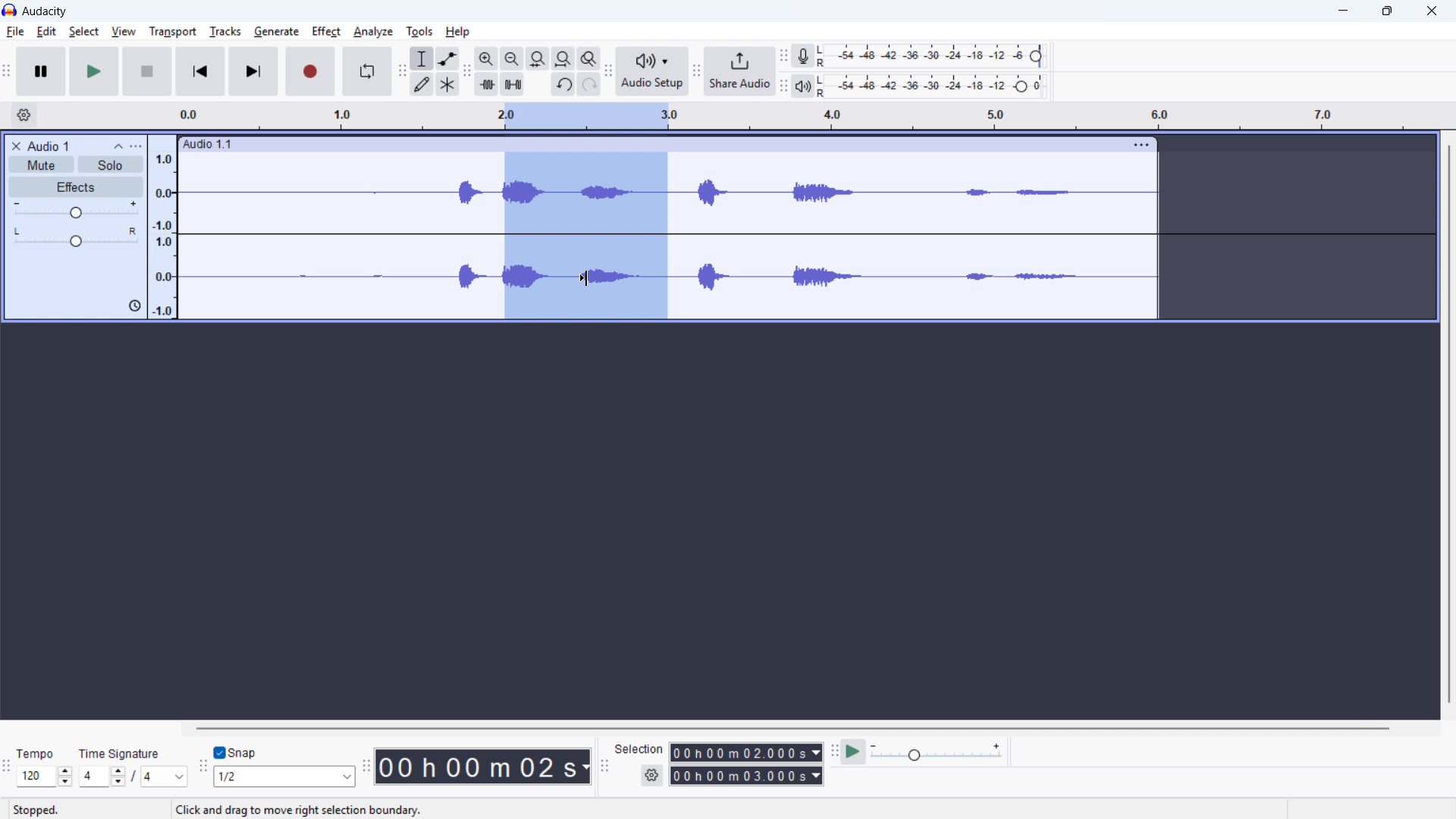 This screenshot has width=1456, height=819. I want to click on Fit project to width, so click(563, 58).